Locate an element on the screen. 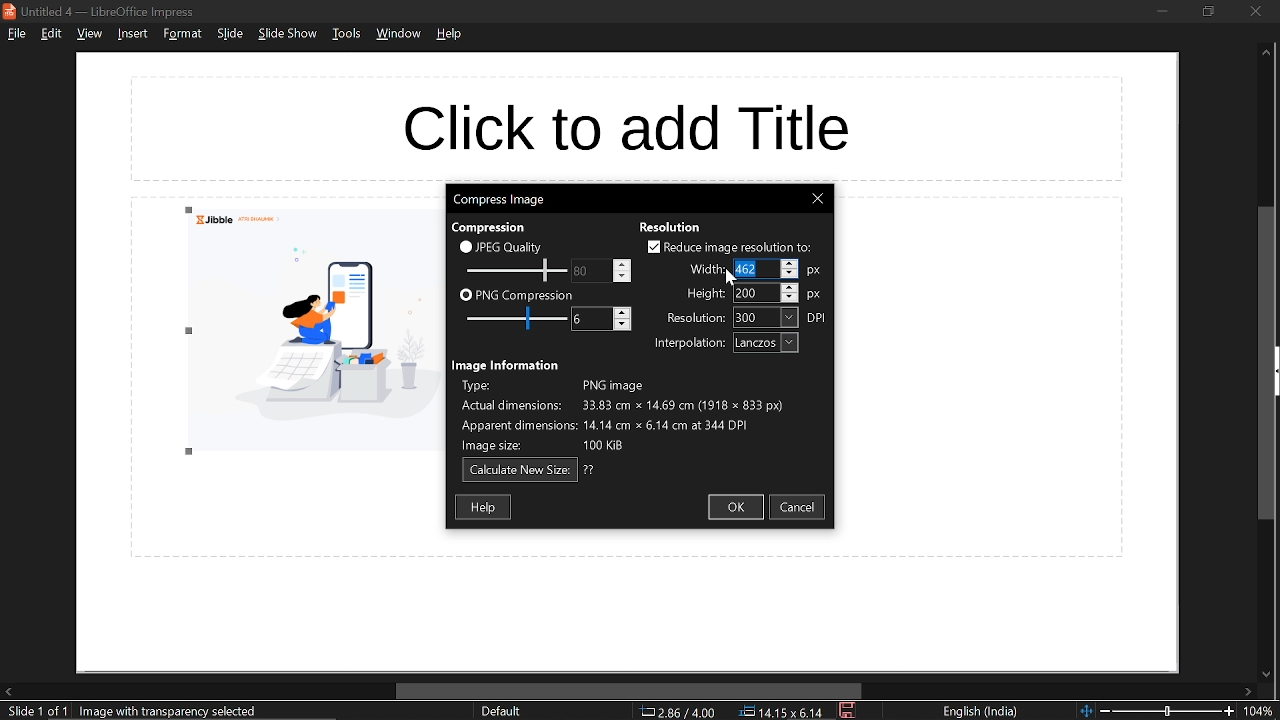 The width and height of the screenshot is (1280, 720). move down is located at coordinates (1264, 675).